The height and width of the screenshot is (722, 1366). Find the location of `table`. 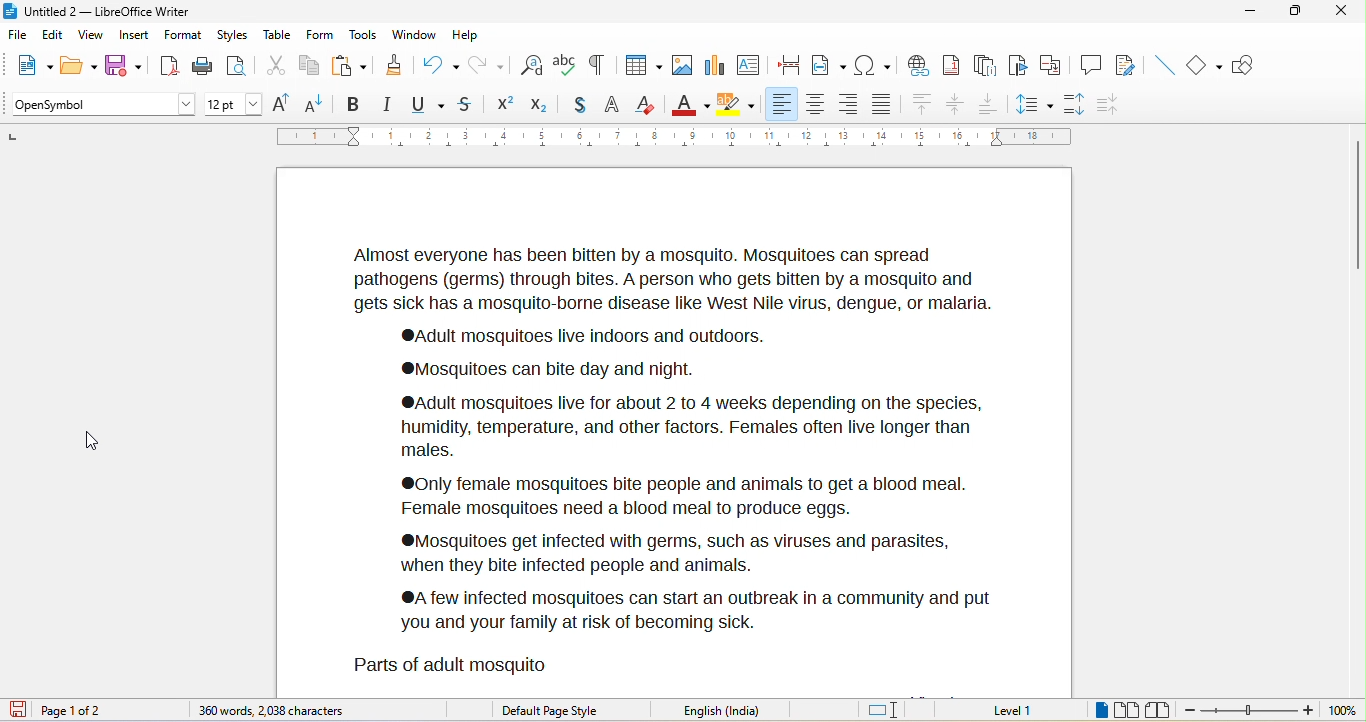

table is located at coordinates (276, 34).